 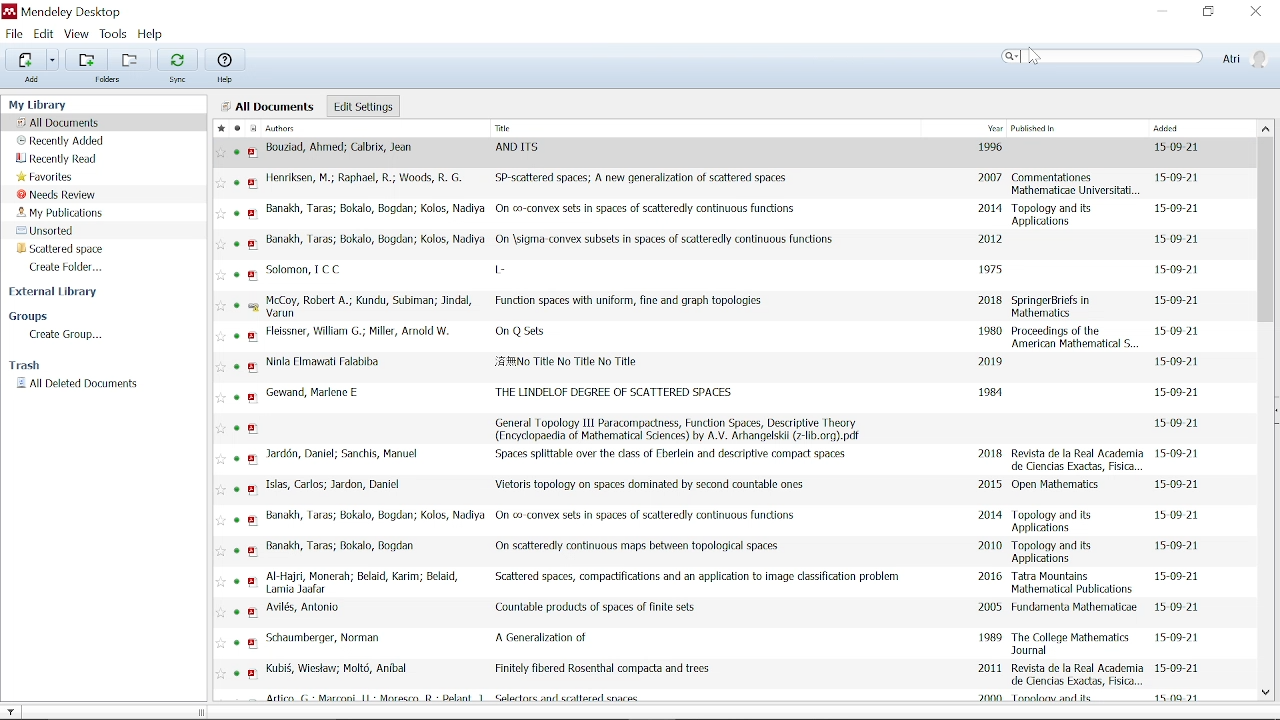 What do you see at coordinates (221, 275) in the screenshot?
I see `Add to favorite` at bounding box center [221, 275].